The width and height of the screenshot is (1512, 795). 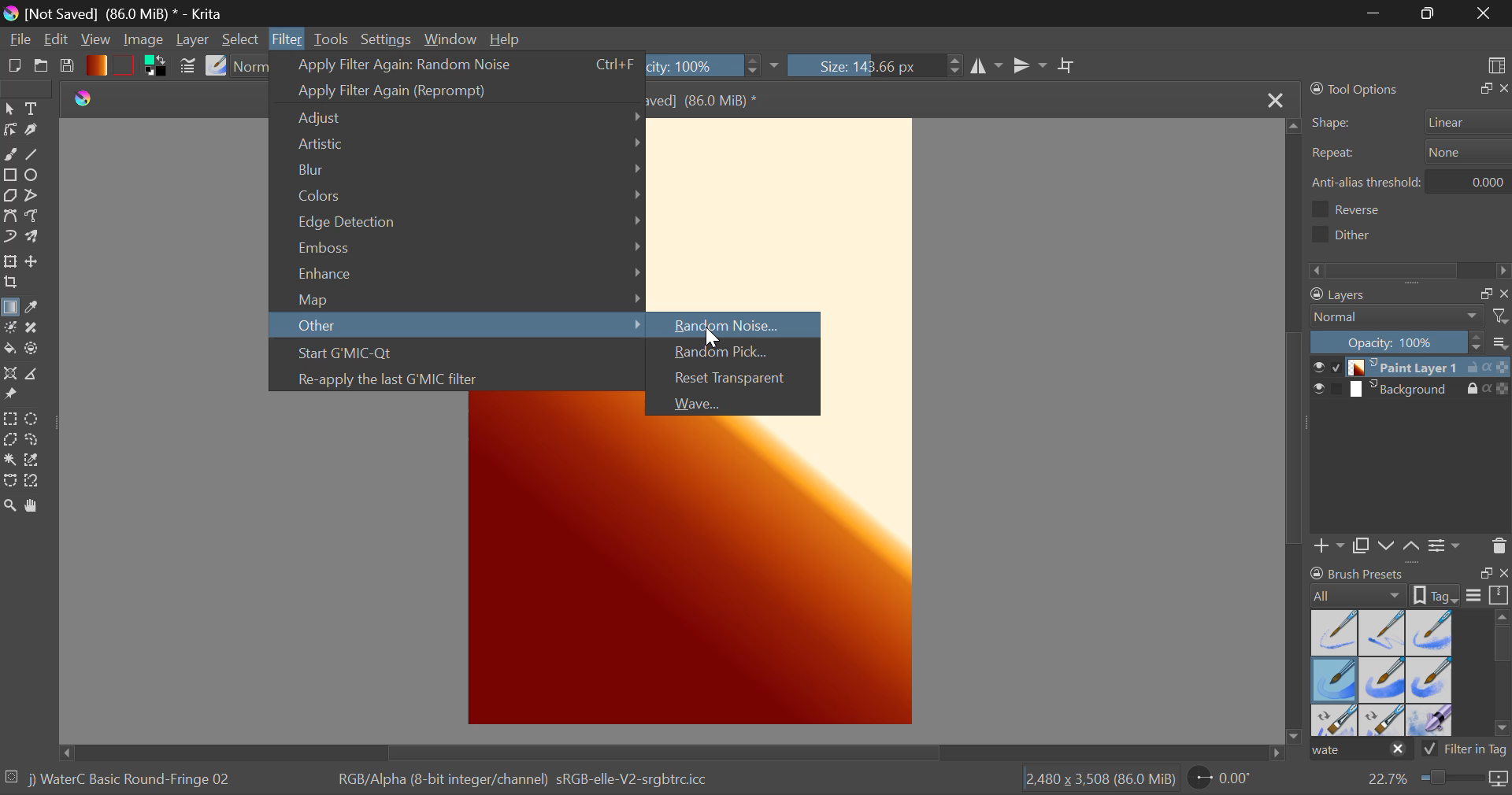 I want to click on preview, so click(x=1316, y=368).